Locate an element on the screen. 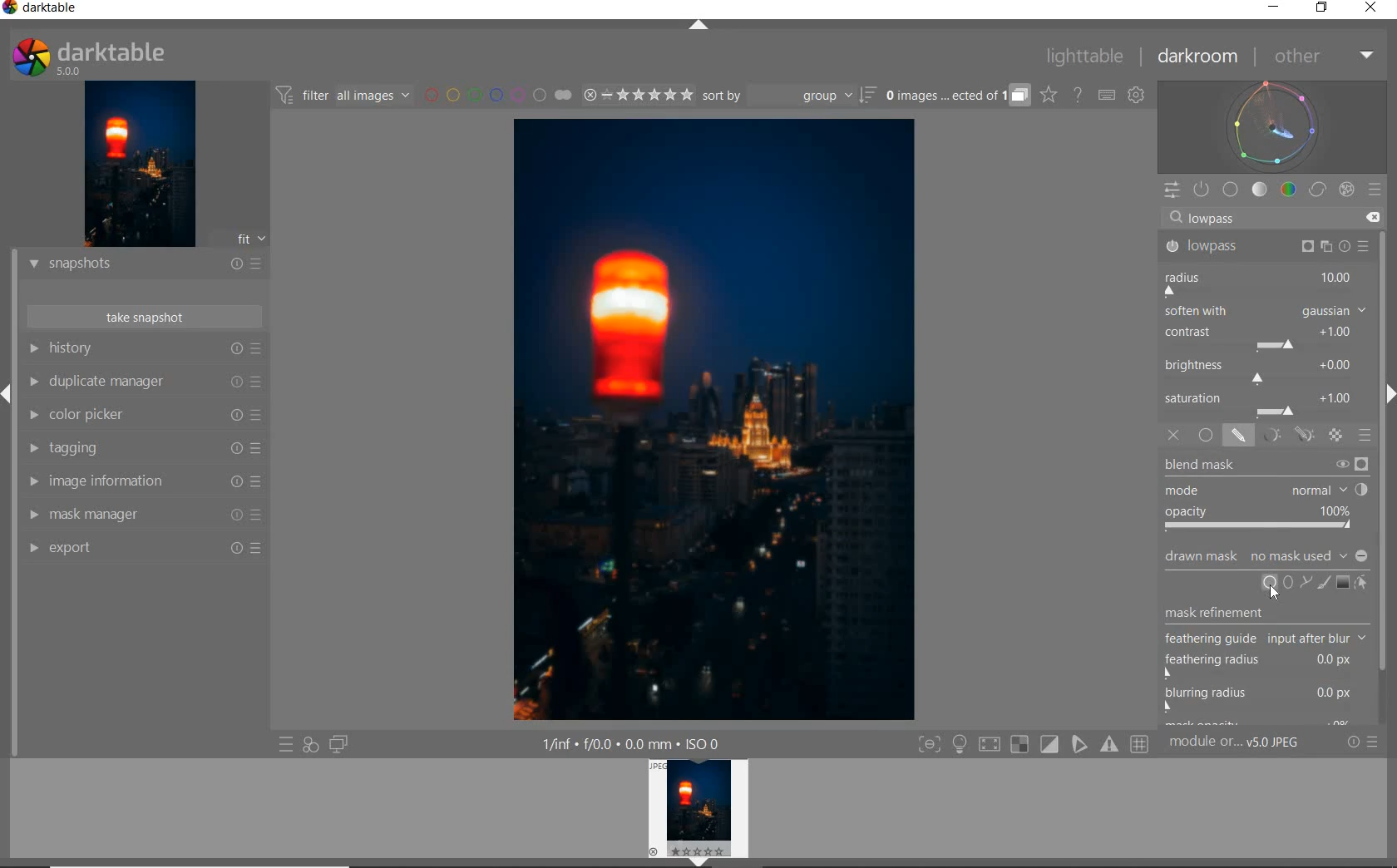  EFFECT is located at coordinates (1346, 189).